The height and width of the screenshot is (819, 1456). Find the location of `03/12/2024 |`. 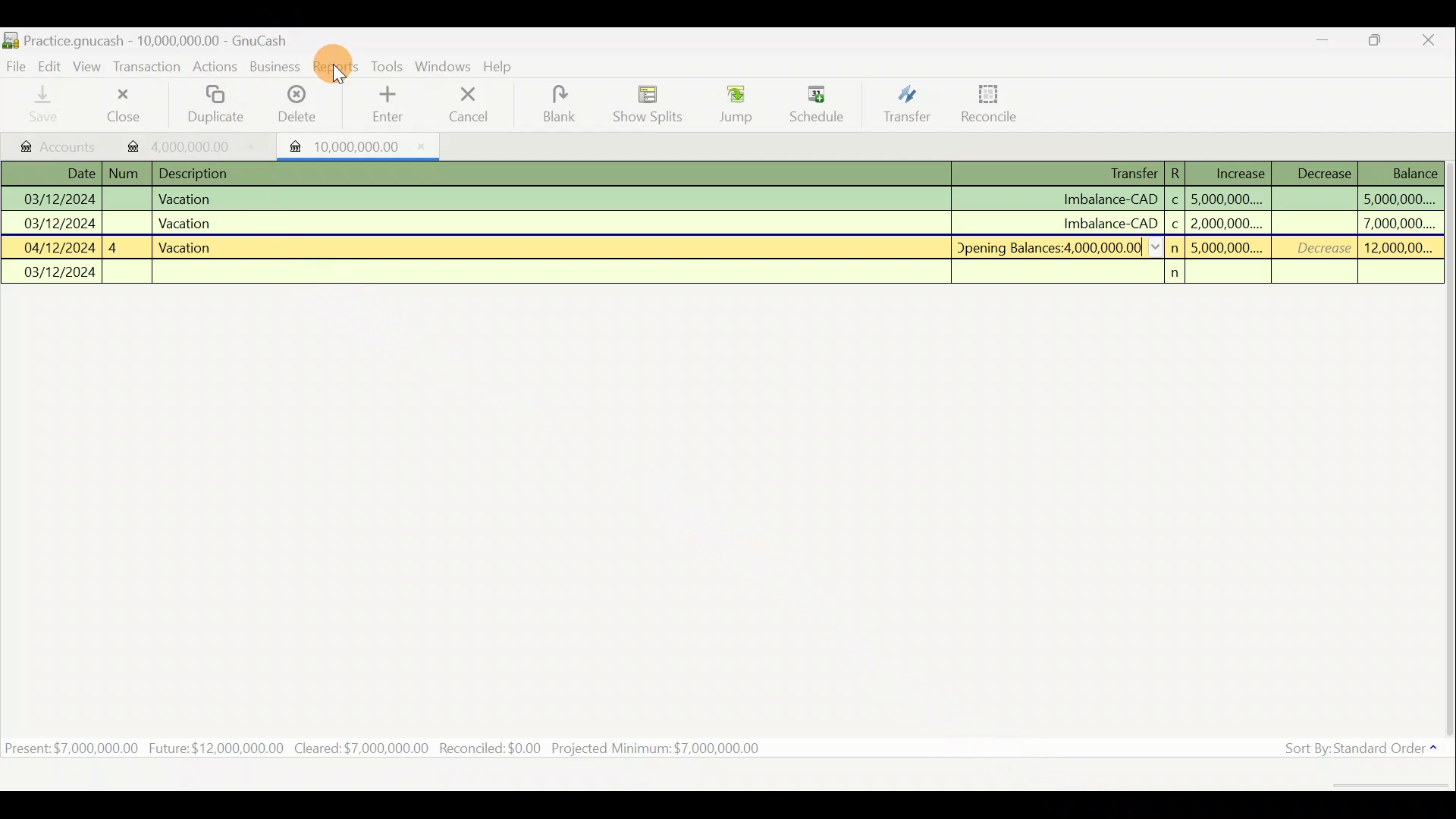

03/12/2024 | is located at coordinates (62, 198).